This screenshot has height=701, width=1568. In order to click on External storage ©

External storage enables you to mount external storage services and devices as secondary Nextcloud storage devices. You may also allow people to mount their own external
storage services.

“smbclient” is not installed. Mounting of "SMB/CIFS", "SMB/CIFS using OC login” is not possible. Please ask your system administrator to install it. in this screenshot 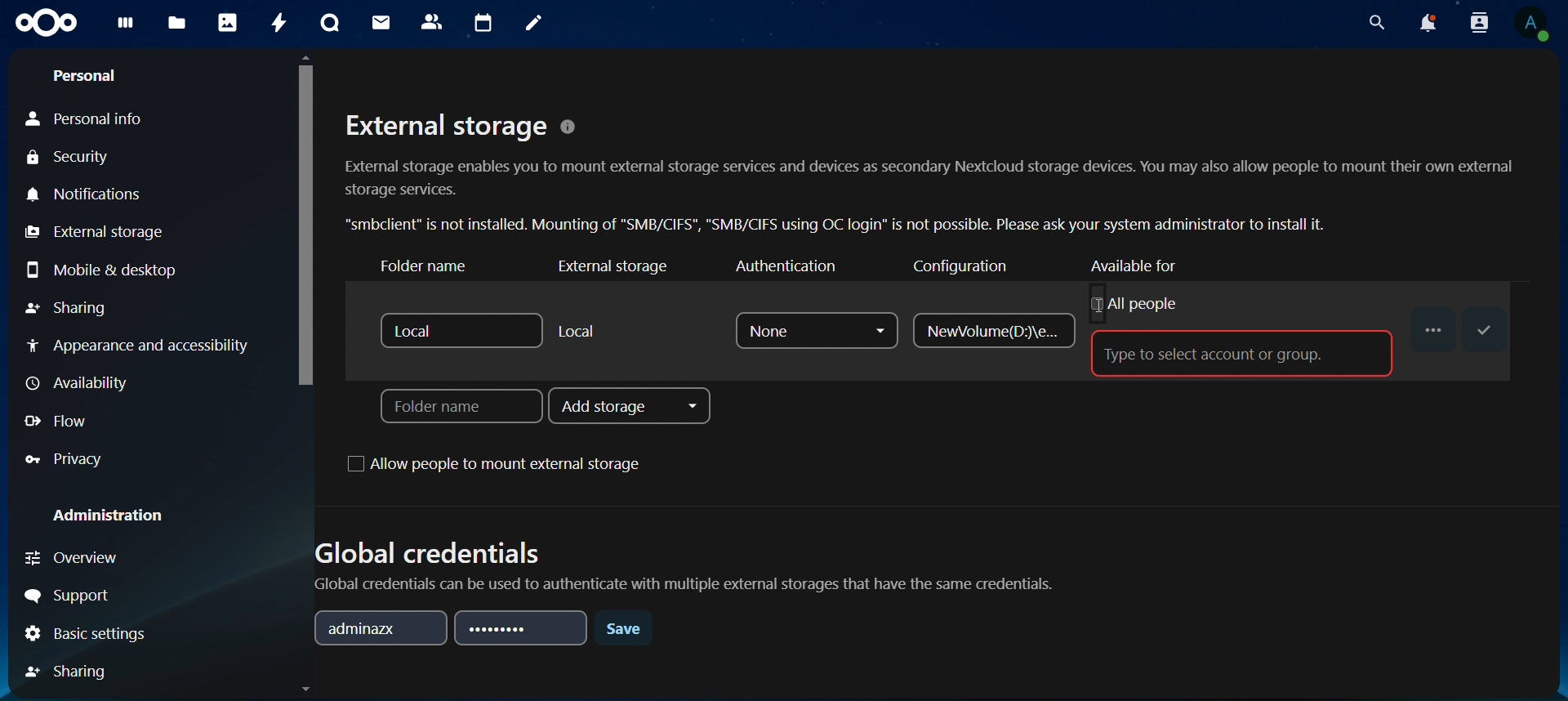, I will do `click(929, 170)`.